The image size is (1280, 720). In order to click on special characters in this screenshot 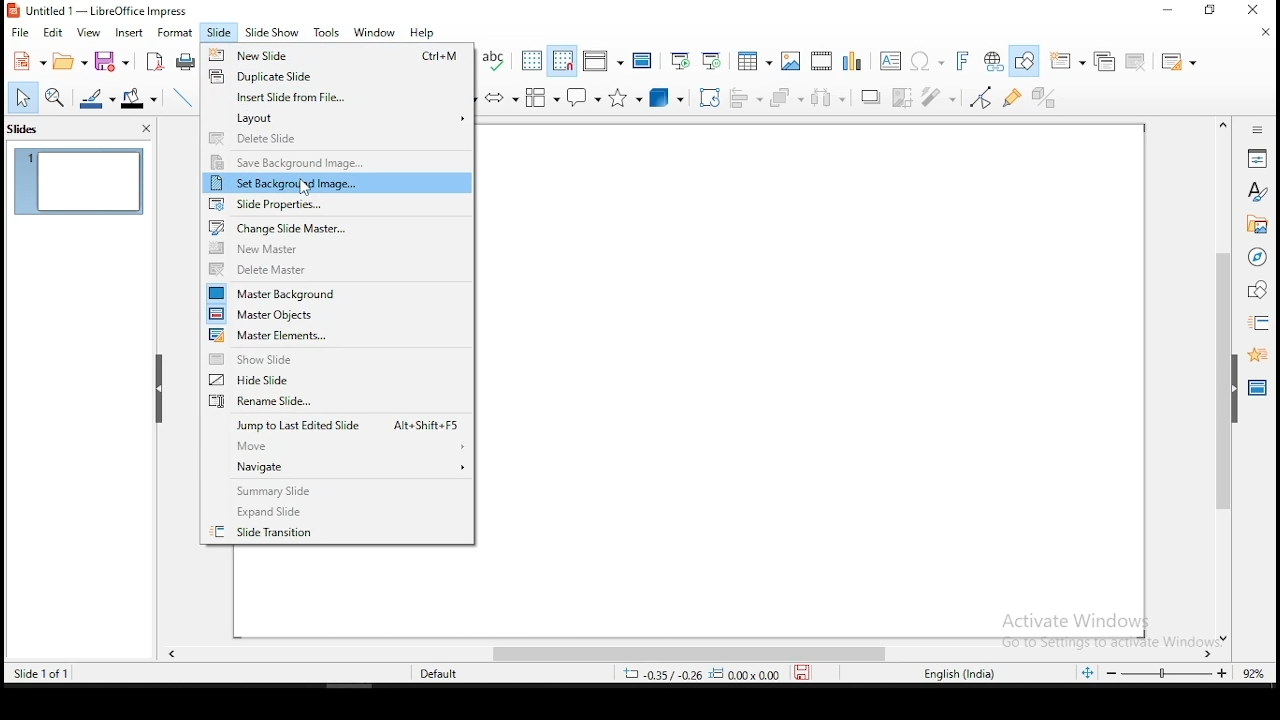, I will do `click(927, 62)`.